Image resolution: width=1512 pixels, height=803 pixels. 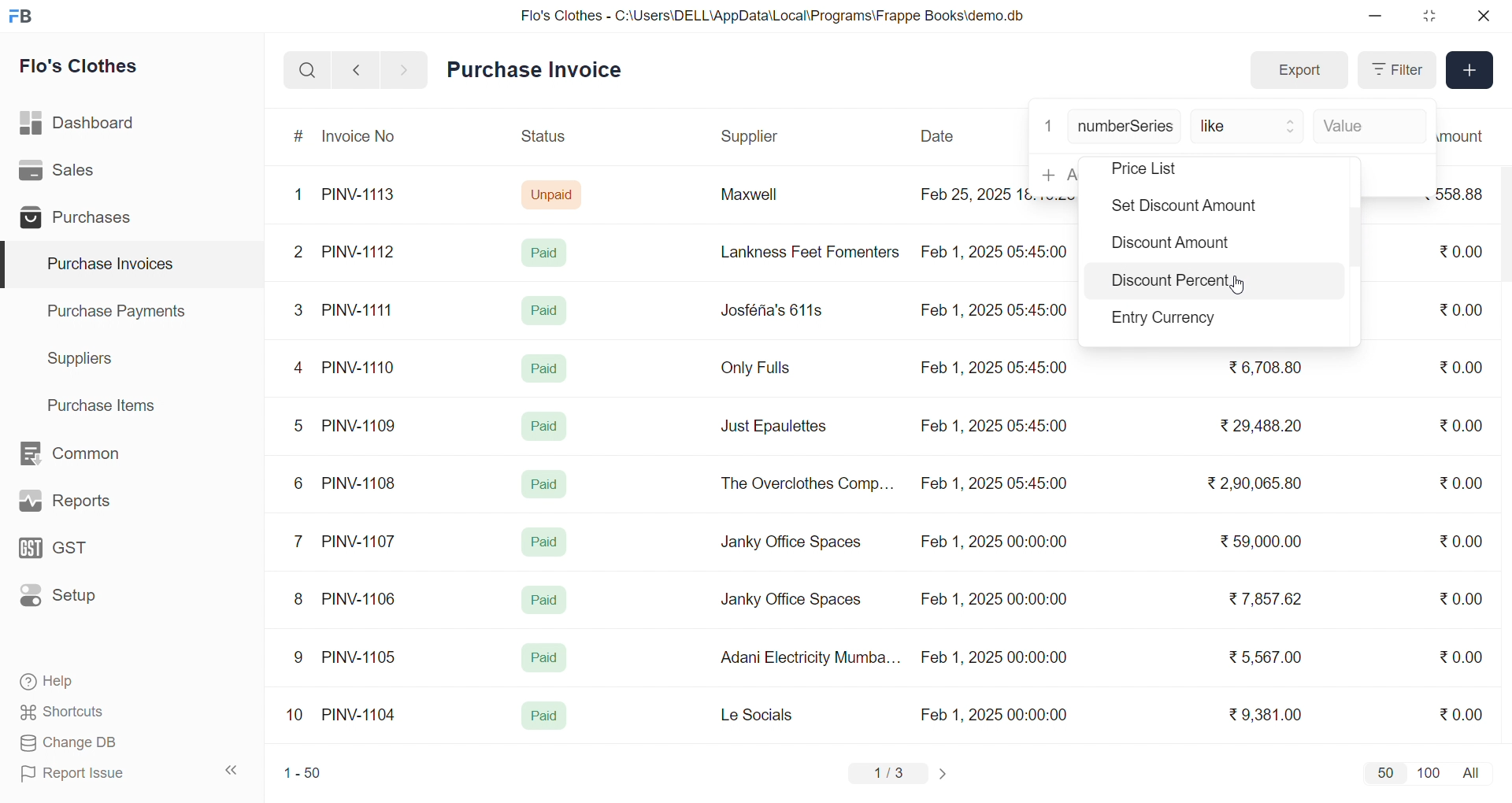 What do you see at coordinates (83, 358) in the screenshot?
I see `Suppliers` at bounding box center [83, 358].